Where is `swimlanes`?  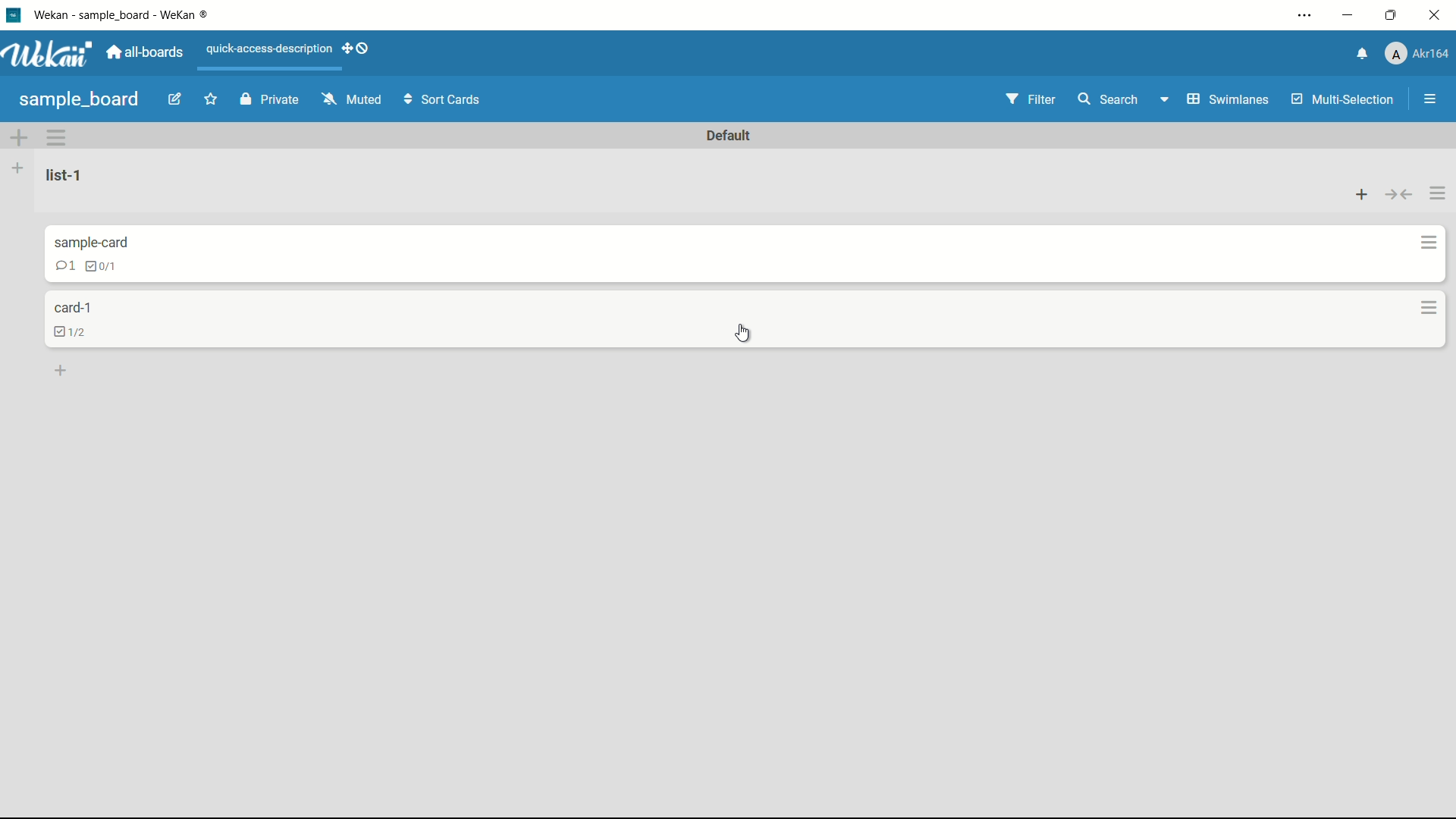
swimlanes is located at coordinates (1212, 101).